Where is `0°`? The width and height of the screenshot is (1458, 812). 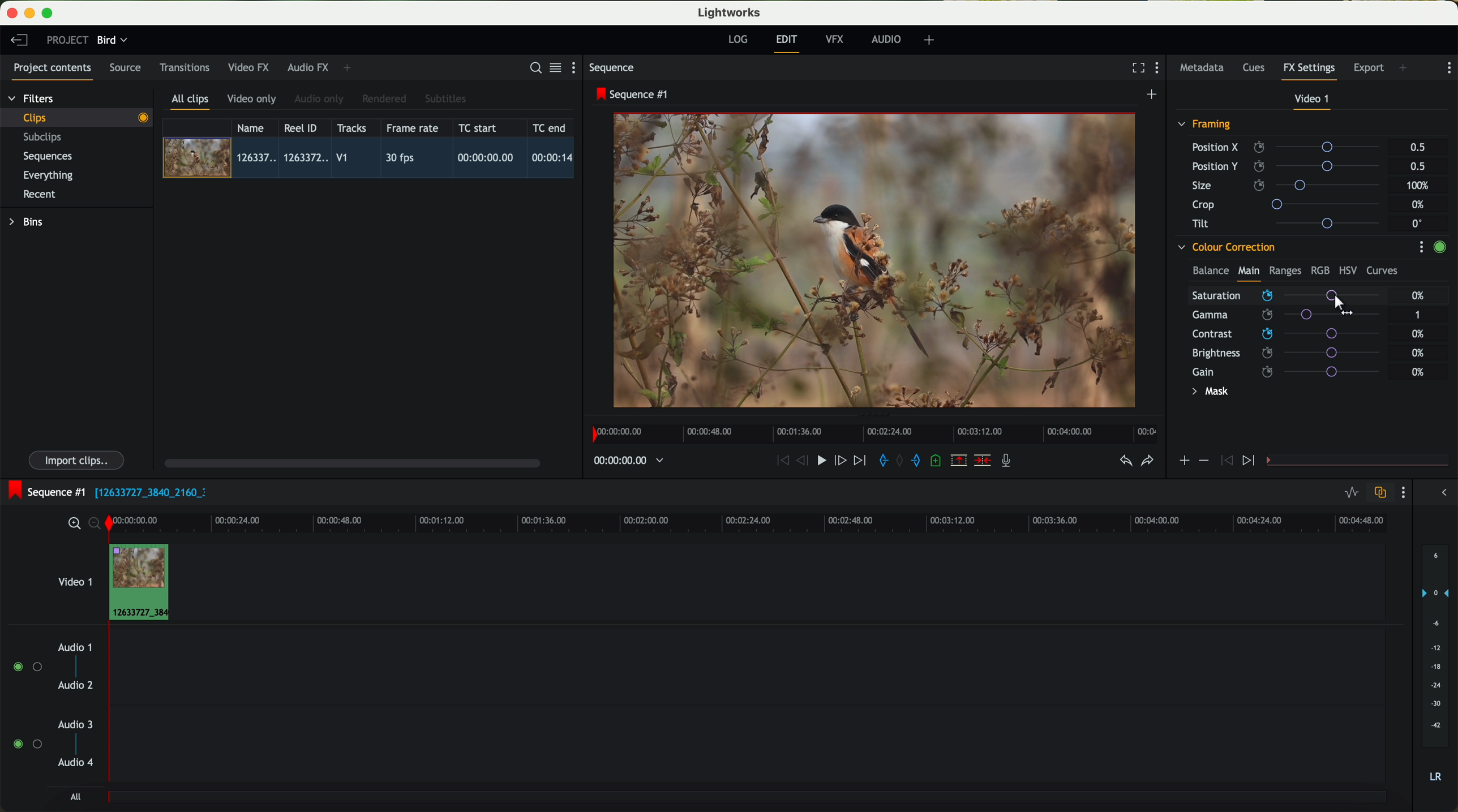 0° is located at coordinates (1418, 223).